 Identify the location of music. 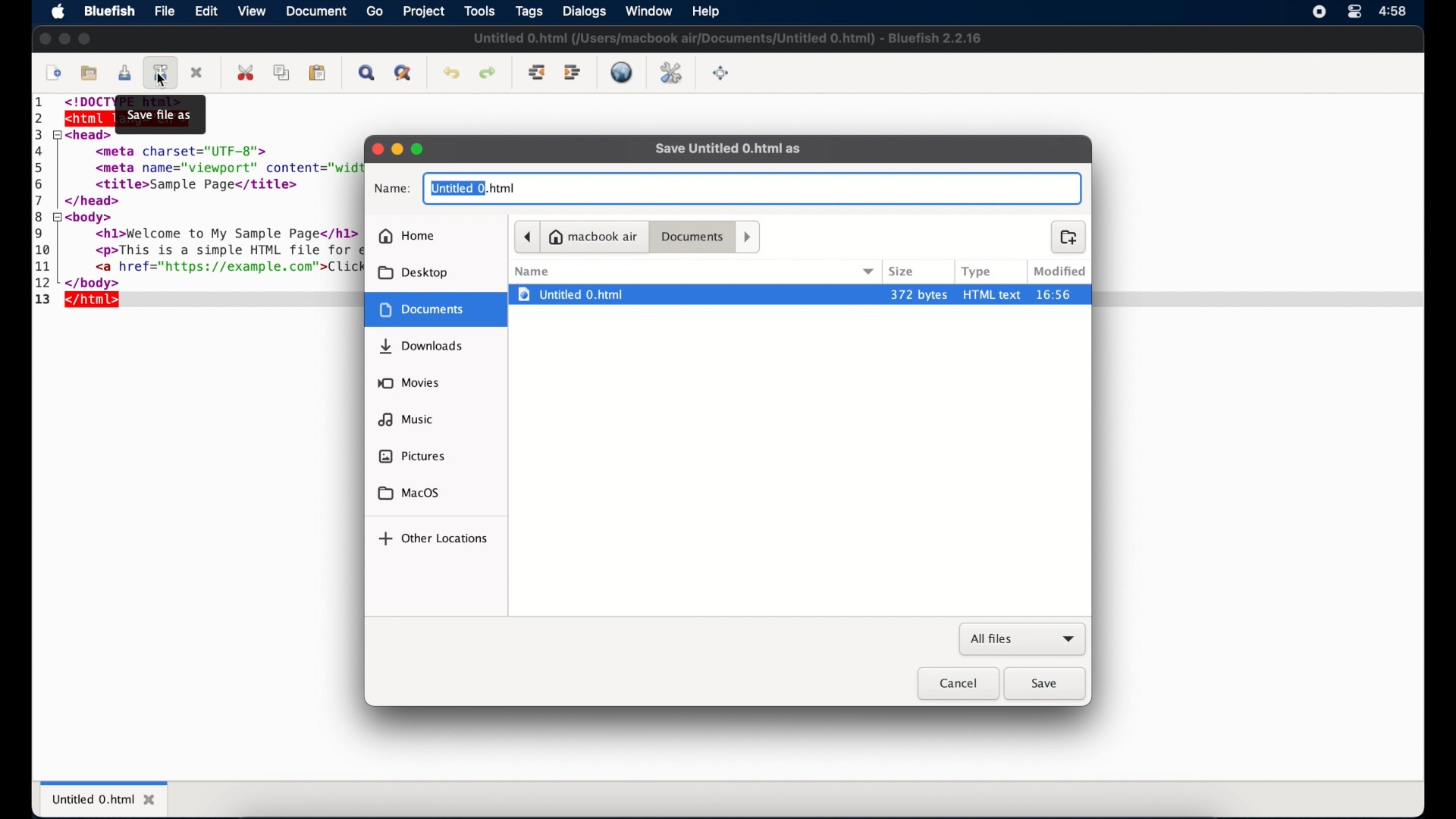
(406, 419).